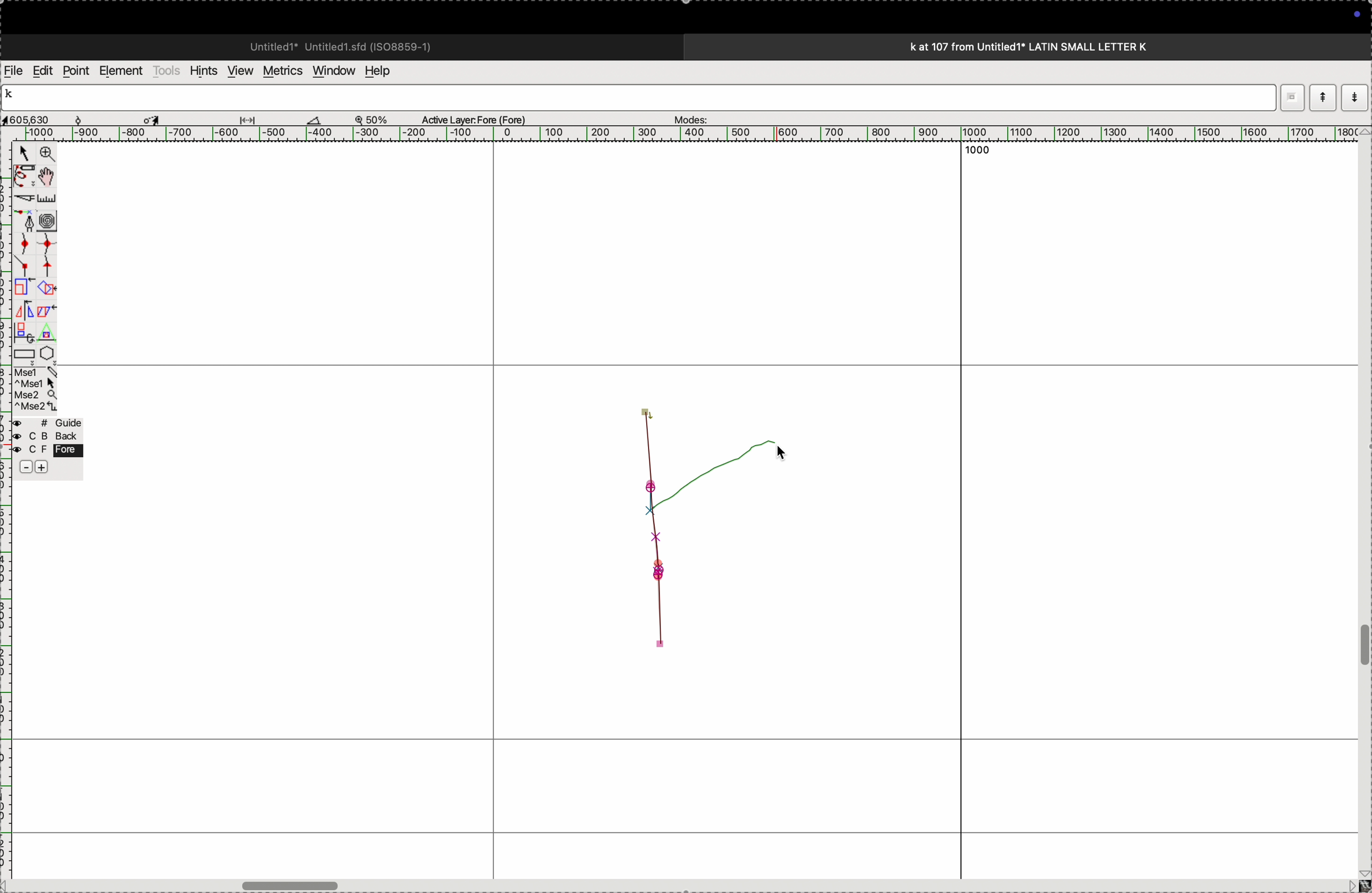 The height and width of the screenshot is (893, 1372). I want to click on zoom, so click(377, 119).